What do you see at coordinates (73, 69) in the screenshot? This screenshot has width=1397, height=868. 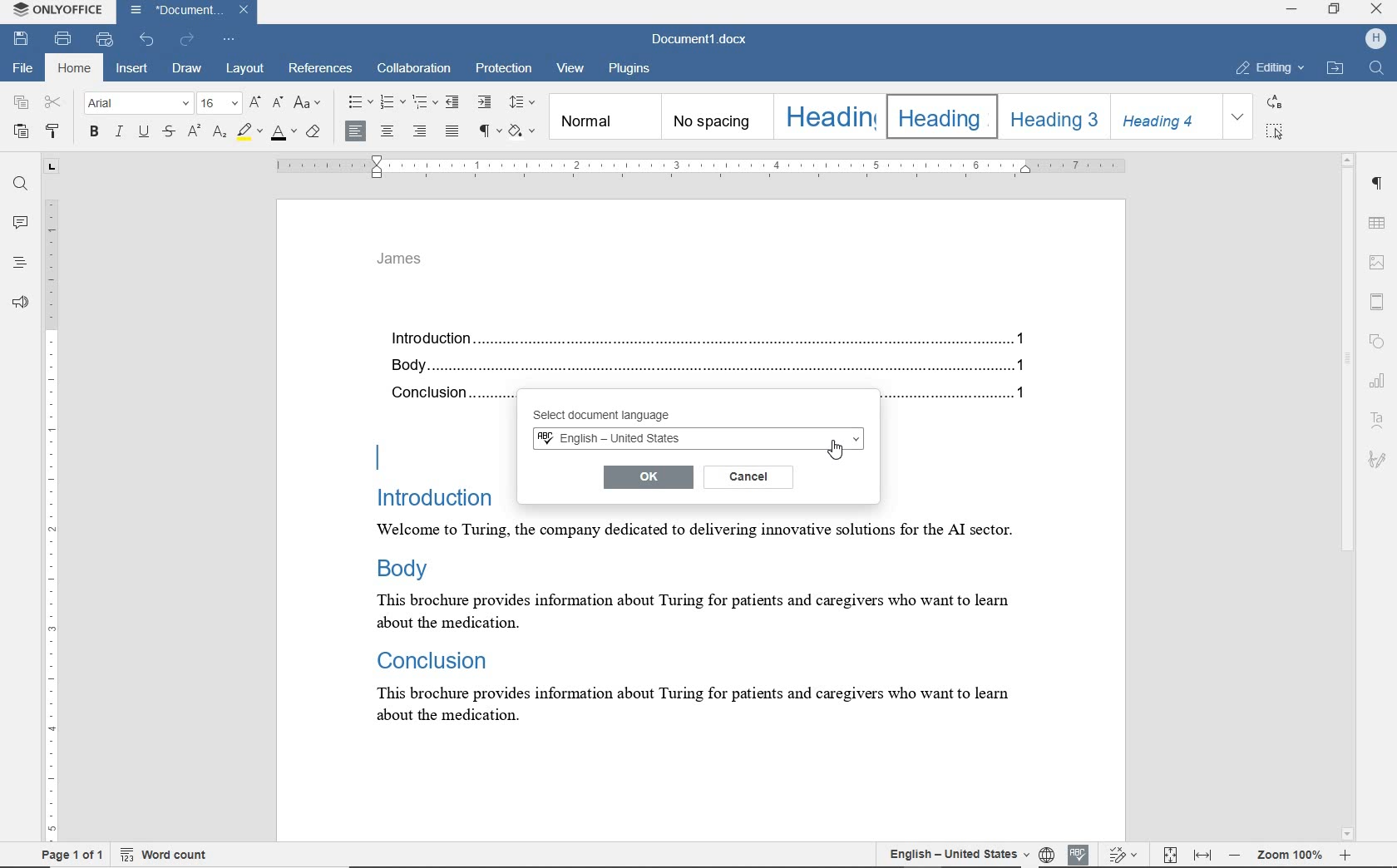 I see `home` at bounding box center [73, 69].